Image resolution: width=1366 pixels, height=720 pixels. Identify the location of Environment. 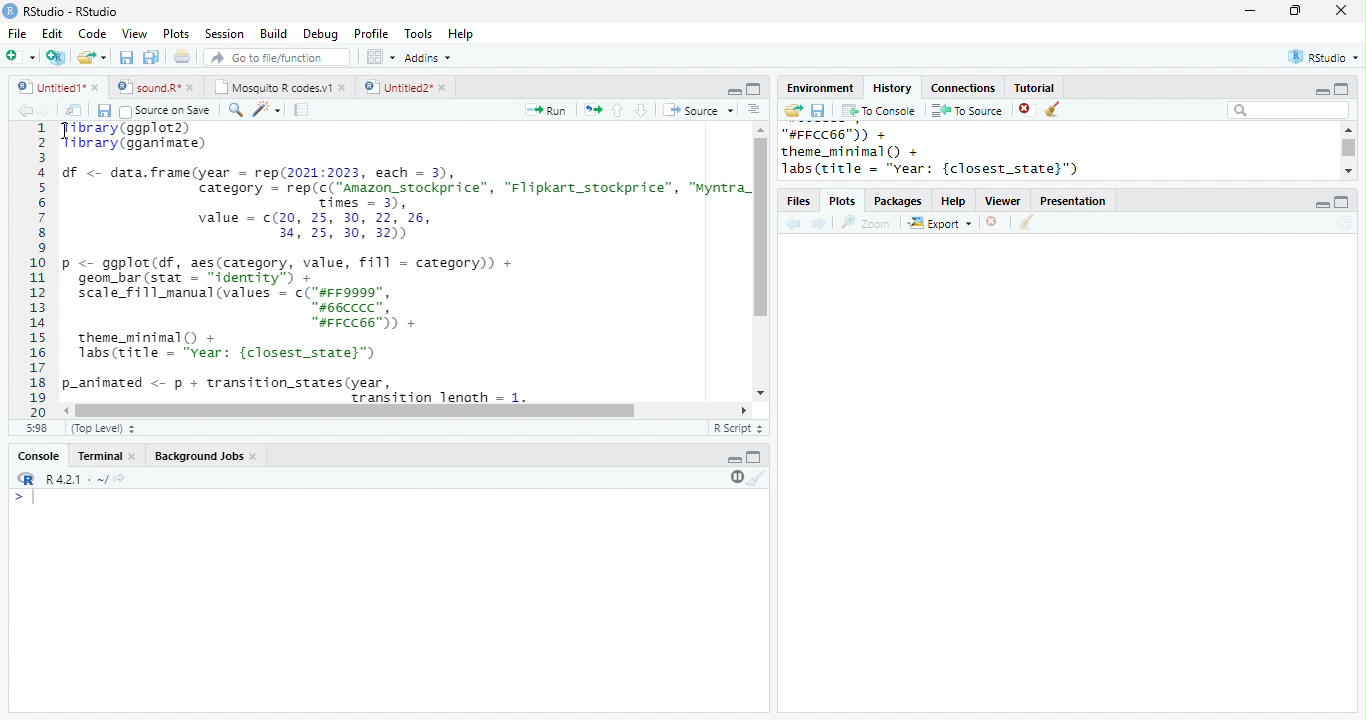
(822, 89).